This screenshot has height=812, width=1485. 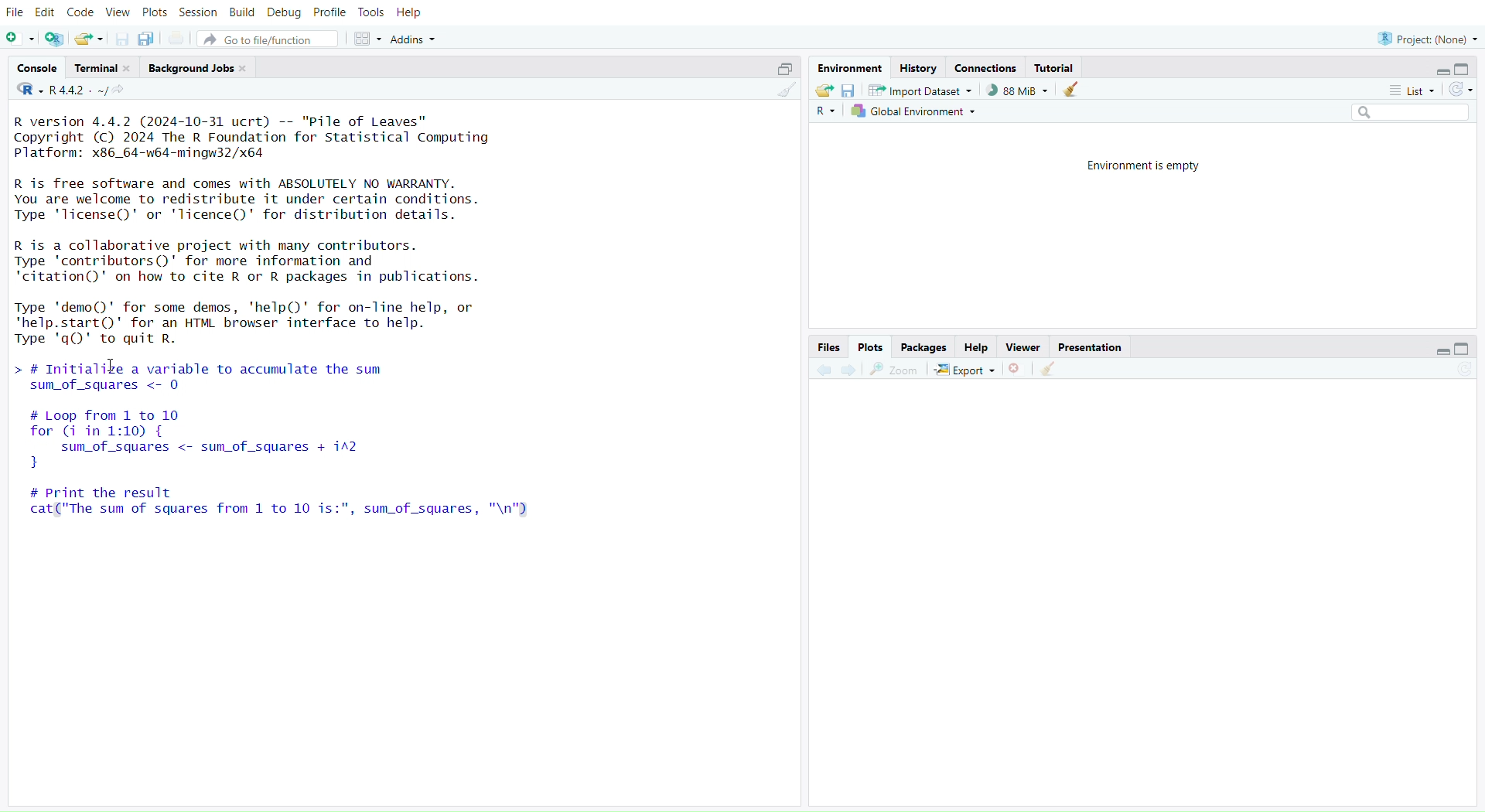 I want to click on refresh list, so click(x=1460, y=88).